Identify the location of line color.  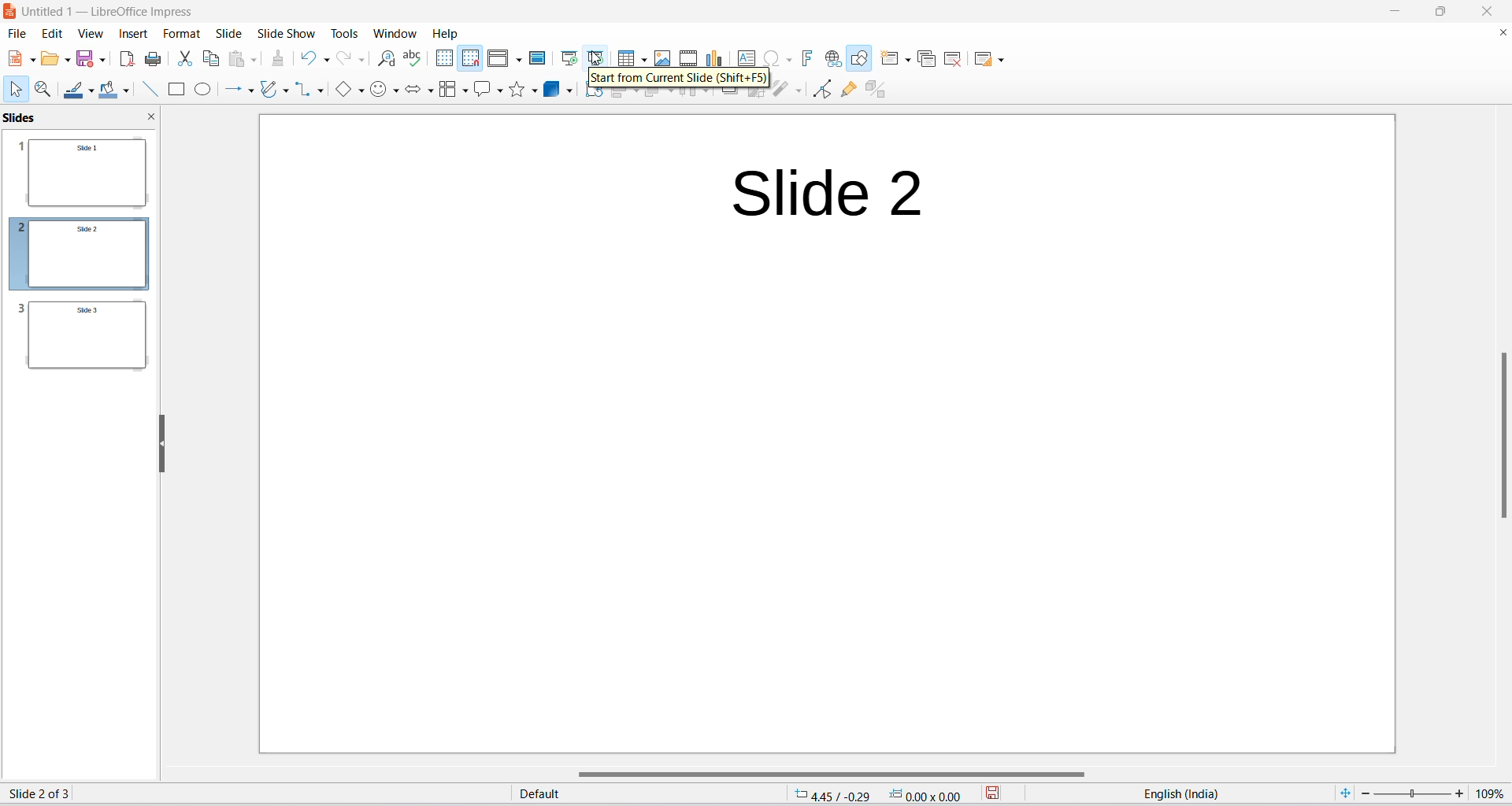
(74, 91).